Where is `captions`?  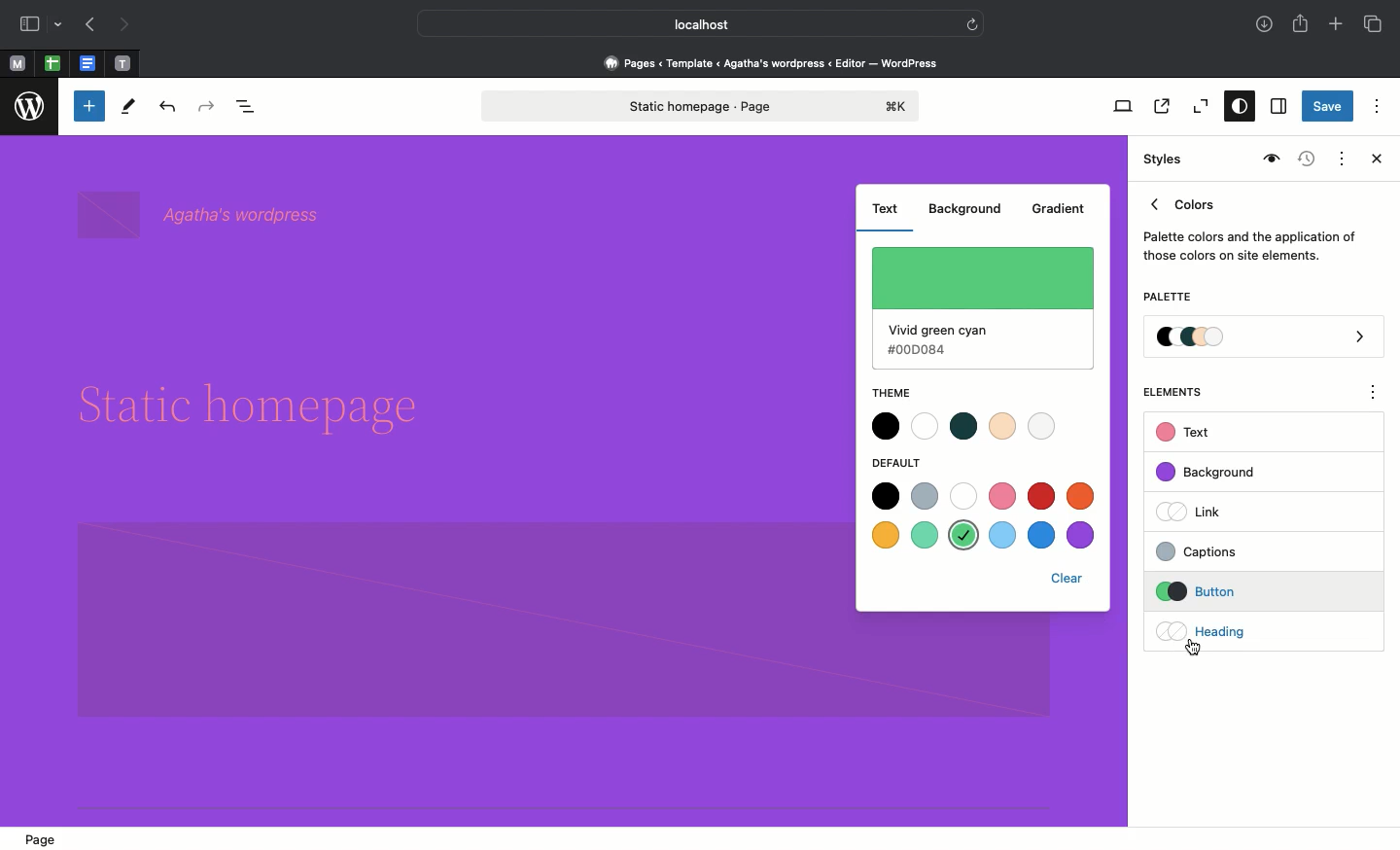
captions is located at coordinates (1231, 549).